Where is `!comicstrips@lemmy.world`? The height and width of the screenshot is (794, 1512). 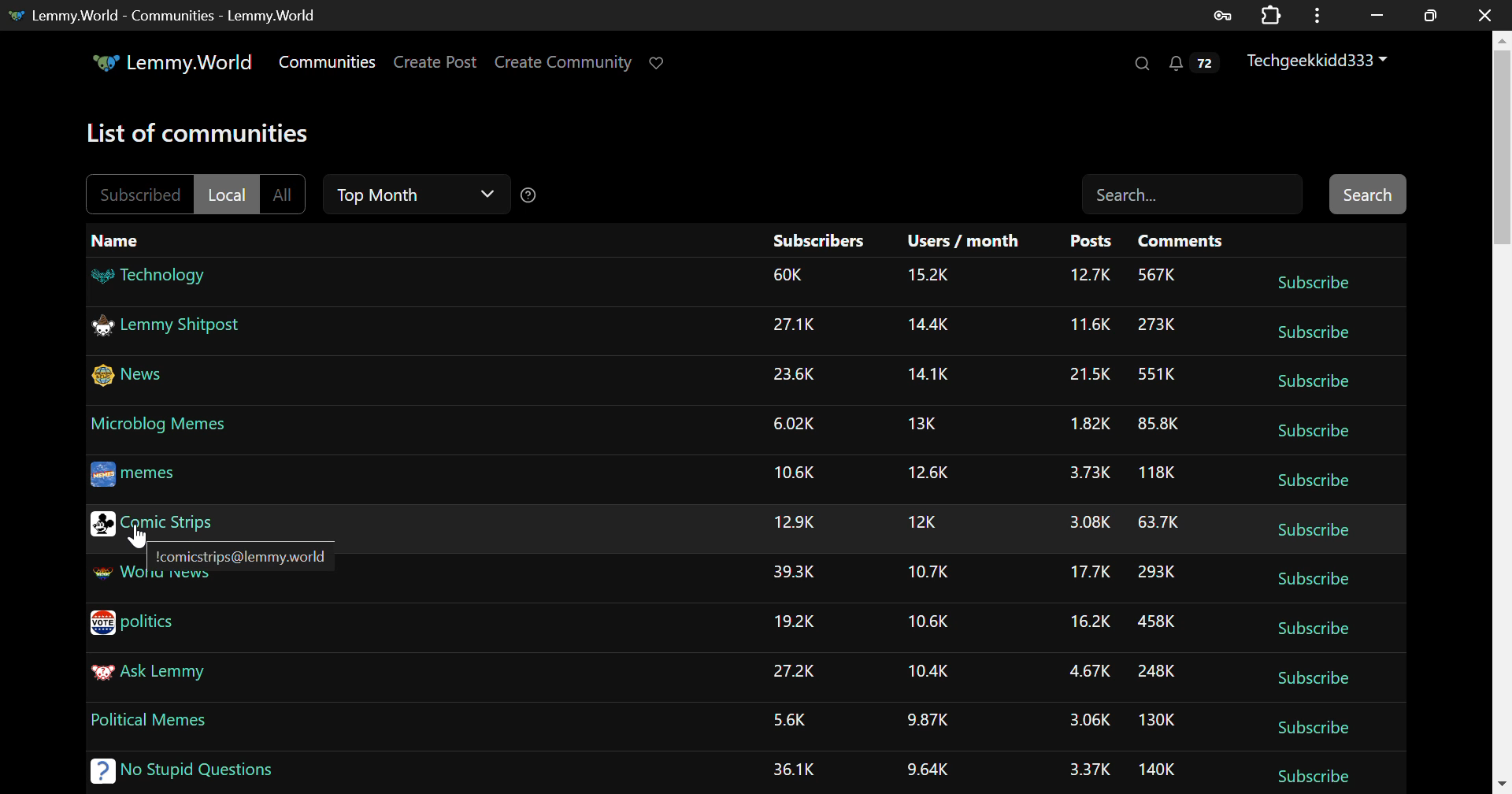 !comicstrips@lemmy.world is located at coordinates (238, 552).